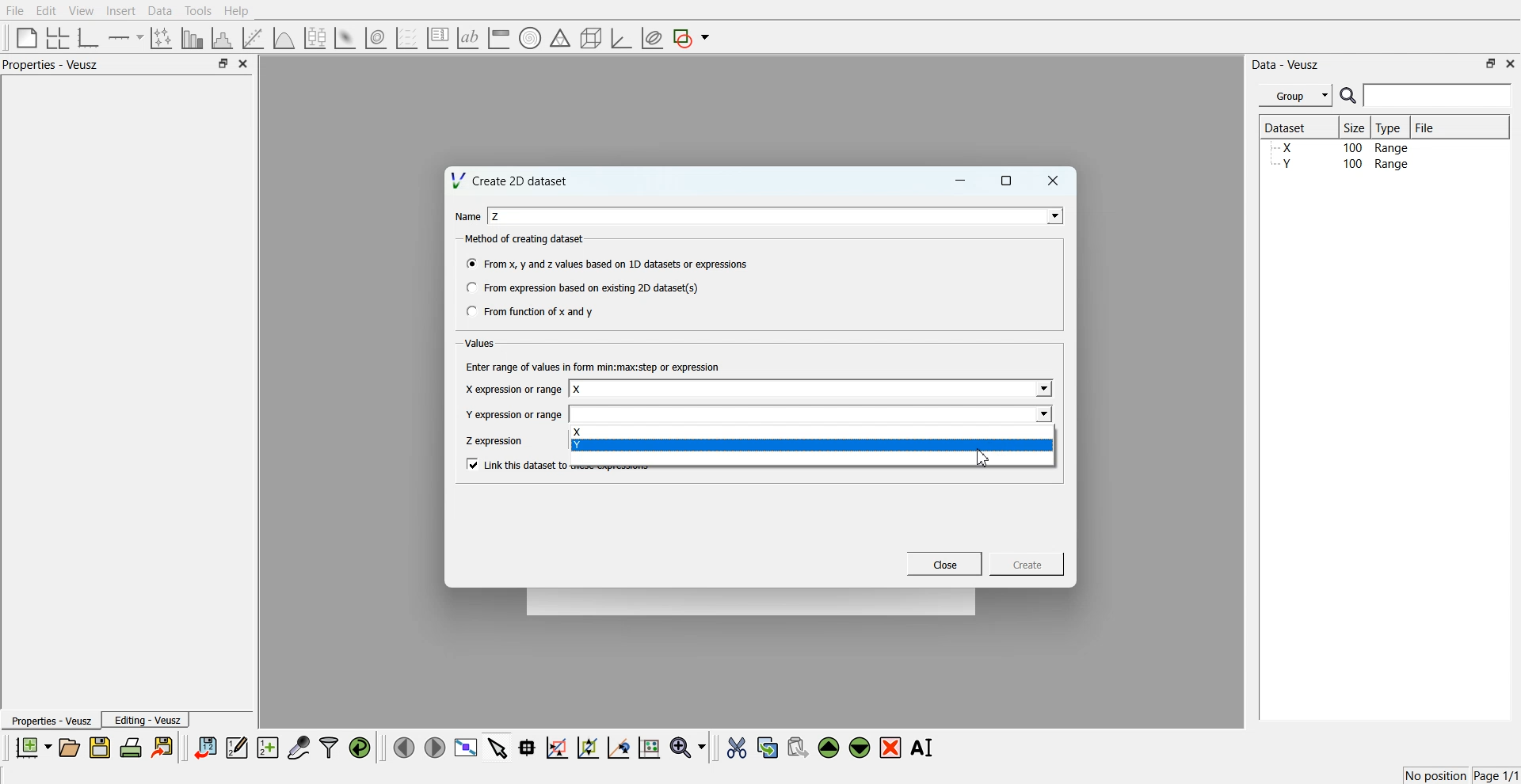 The image size is (1521, 784). What do you see at coordinates (1042, 390) in the screenshot?
I see `Drop down` at bounding box center [1042, 390].